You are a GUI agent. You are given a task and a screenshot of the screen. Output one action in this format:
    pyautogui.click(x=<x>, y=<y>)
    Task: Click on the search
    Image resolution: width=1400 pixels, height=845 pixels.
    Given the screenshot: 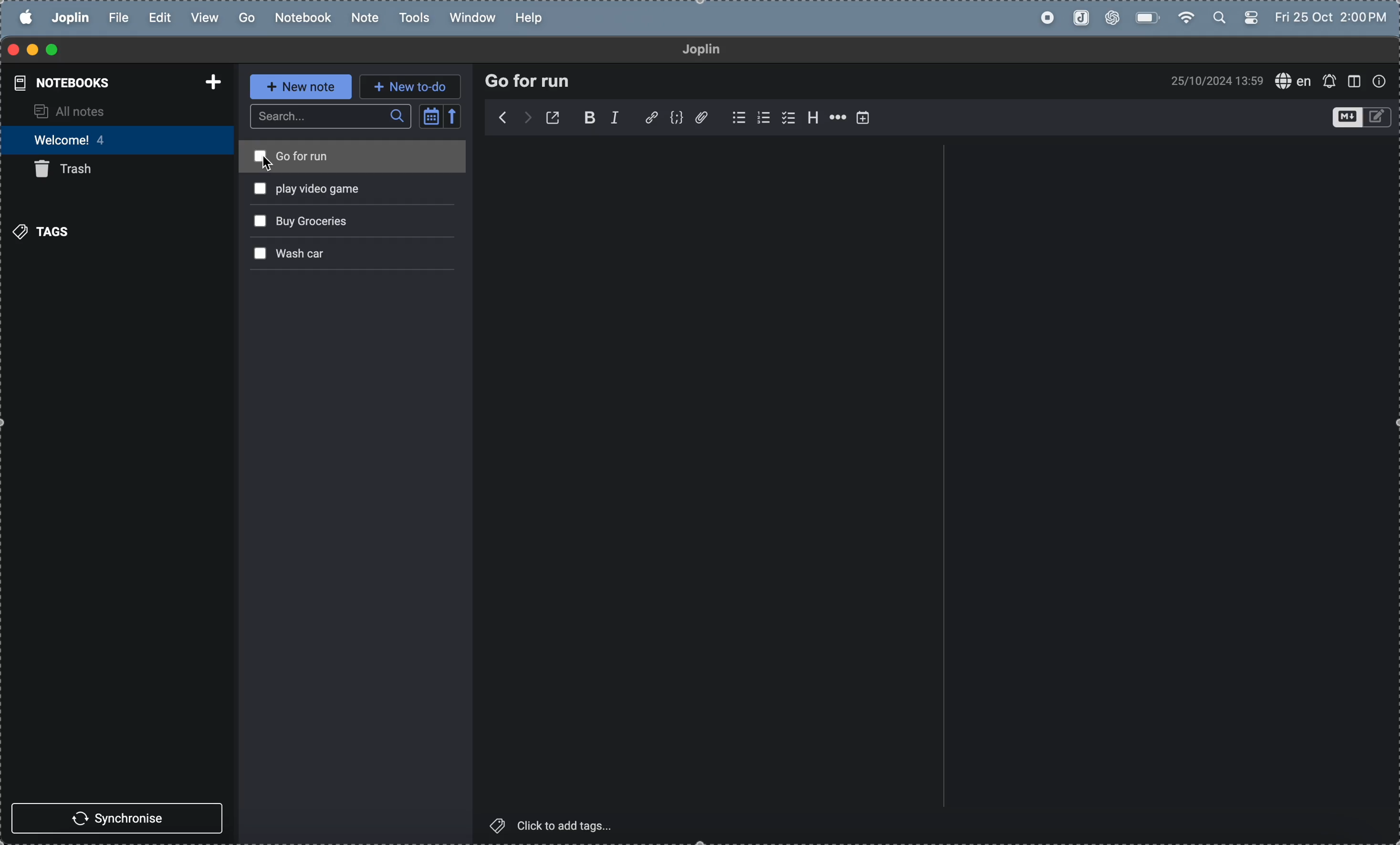 What is the action you would take?
    pyautogui.click(x=327, y=117)
    